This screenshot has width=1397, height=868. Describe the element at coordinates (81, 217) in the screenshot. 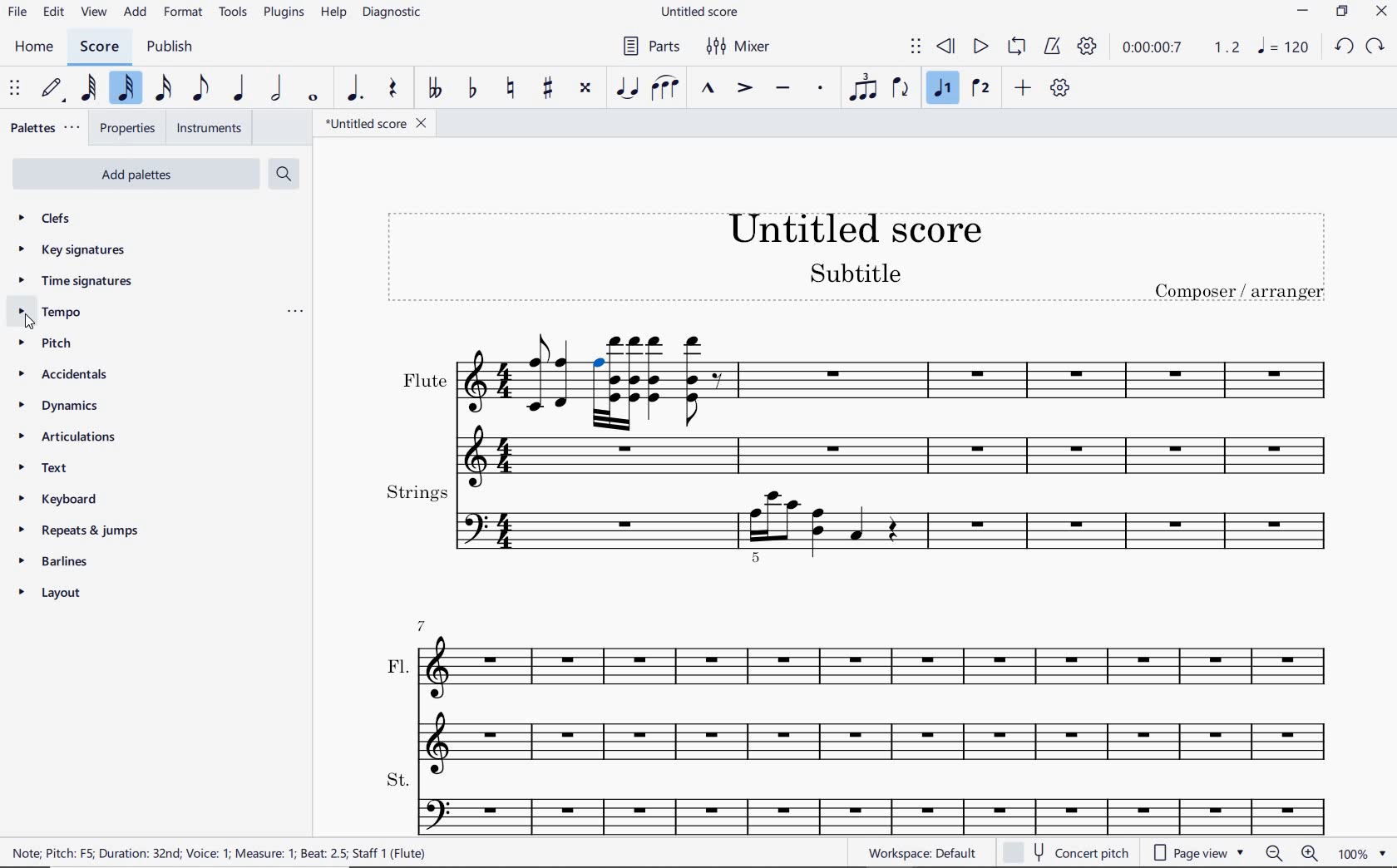

I see `clefs` at that location.